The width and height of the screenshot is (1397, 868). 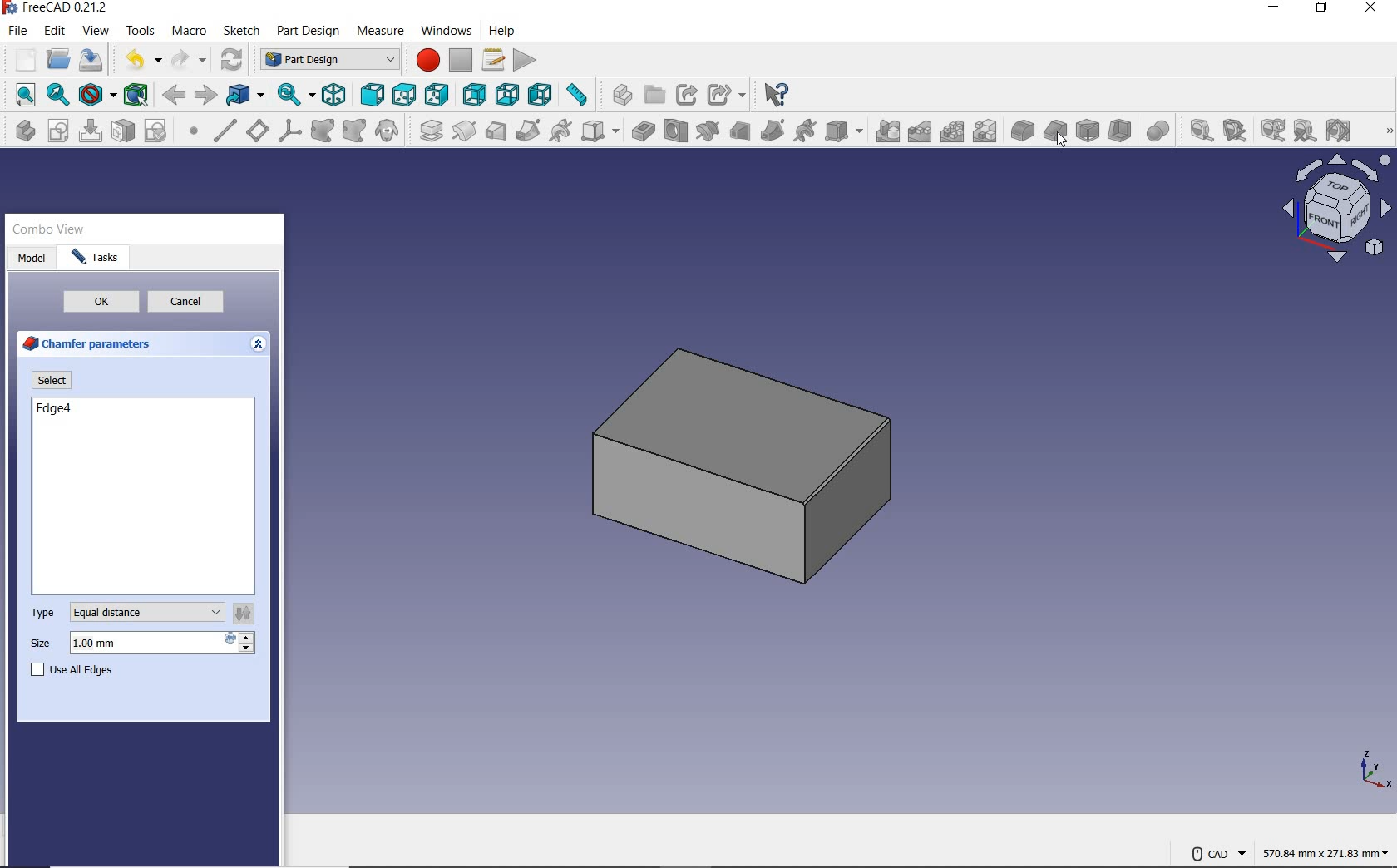 I want to click on toggle all, so click(x=1338, y=131).